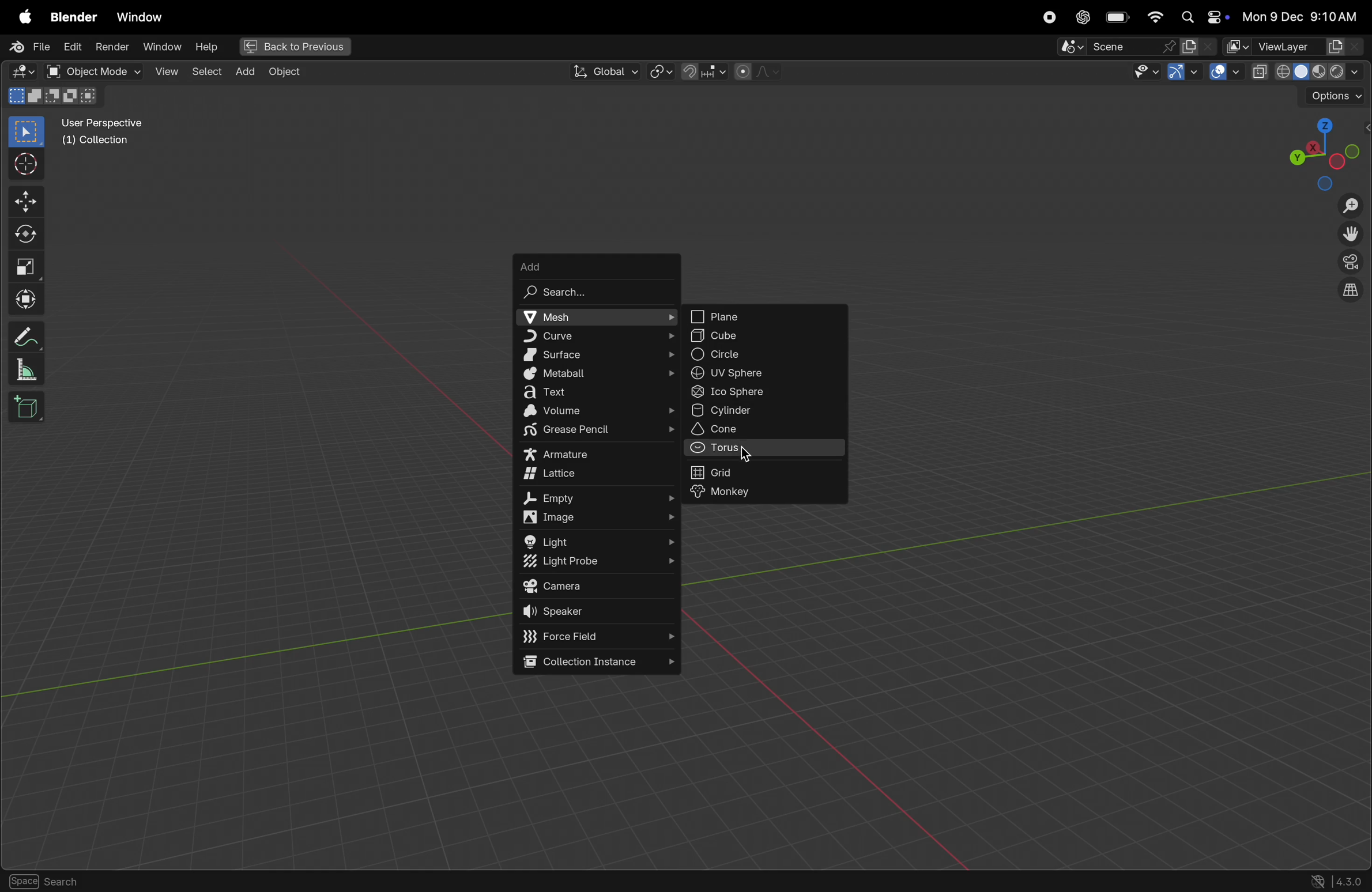 This screenshot has height=892, width=1372. Describe the element at coordinates (702, 71) in the screenshot. I see `snap` at that location.